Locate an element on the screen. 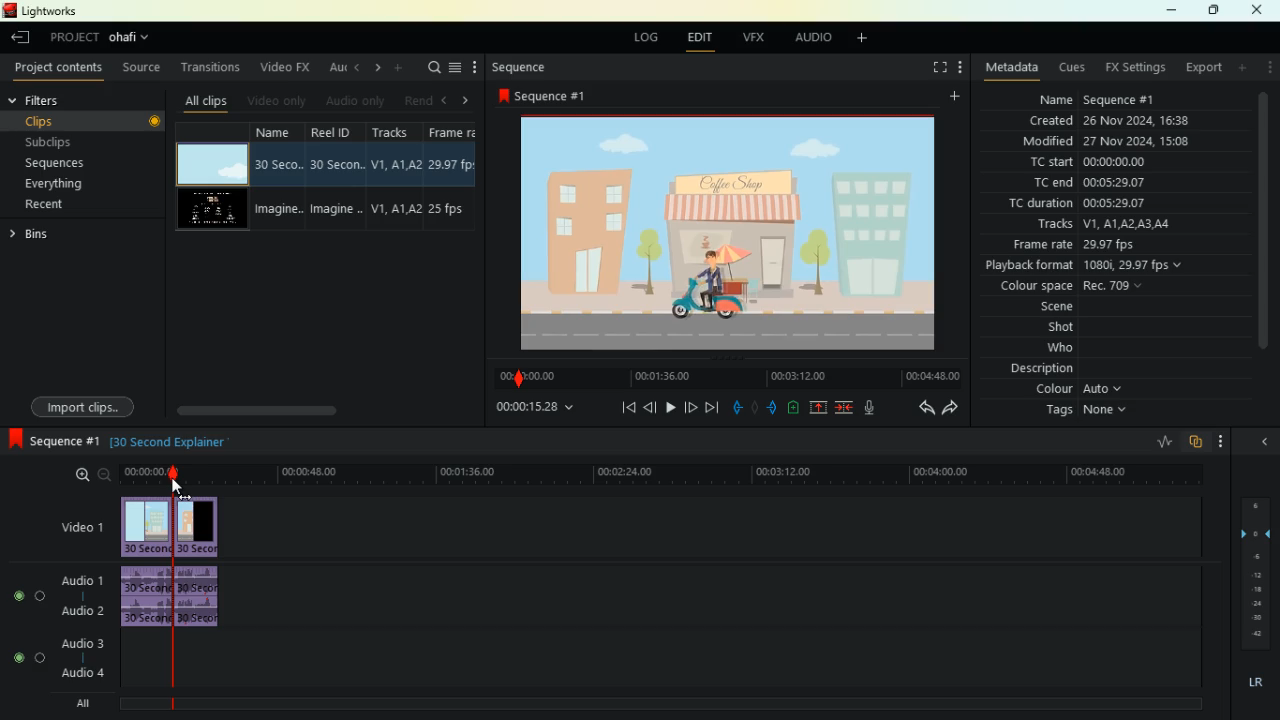  edit is located at coordinates (694, 37).